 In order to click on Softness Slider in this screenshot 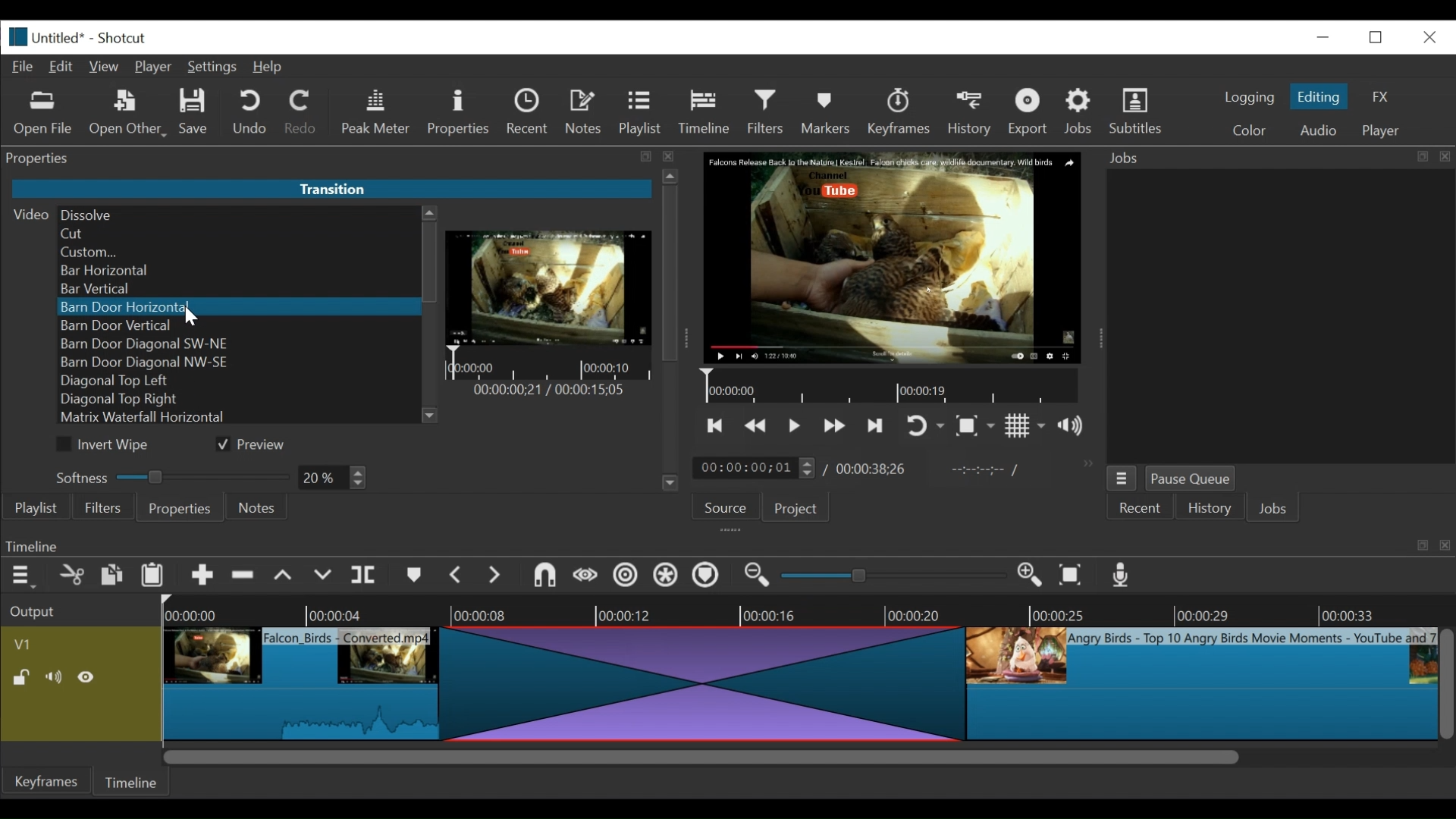, I will do `click(171, 475)`.